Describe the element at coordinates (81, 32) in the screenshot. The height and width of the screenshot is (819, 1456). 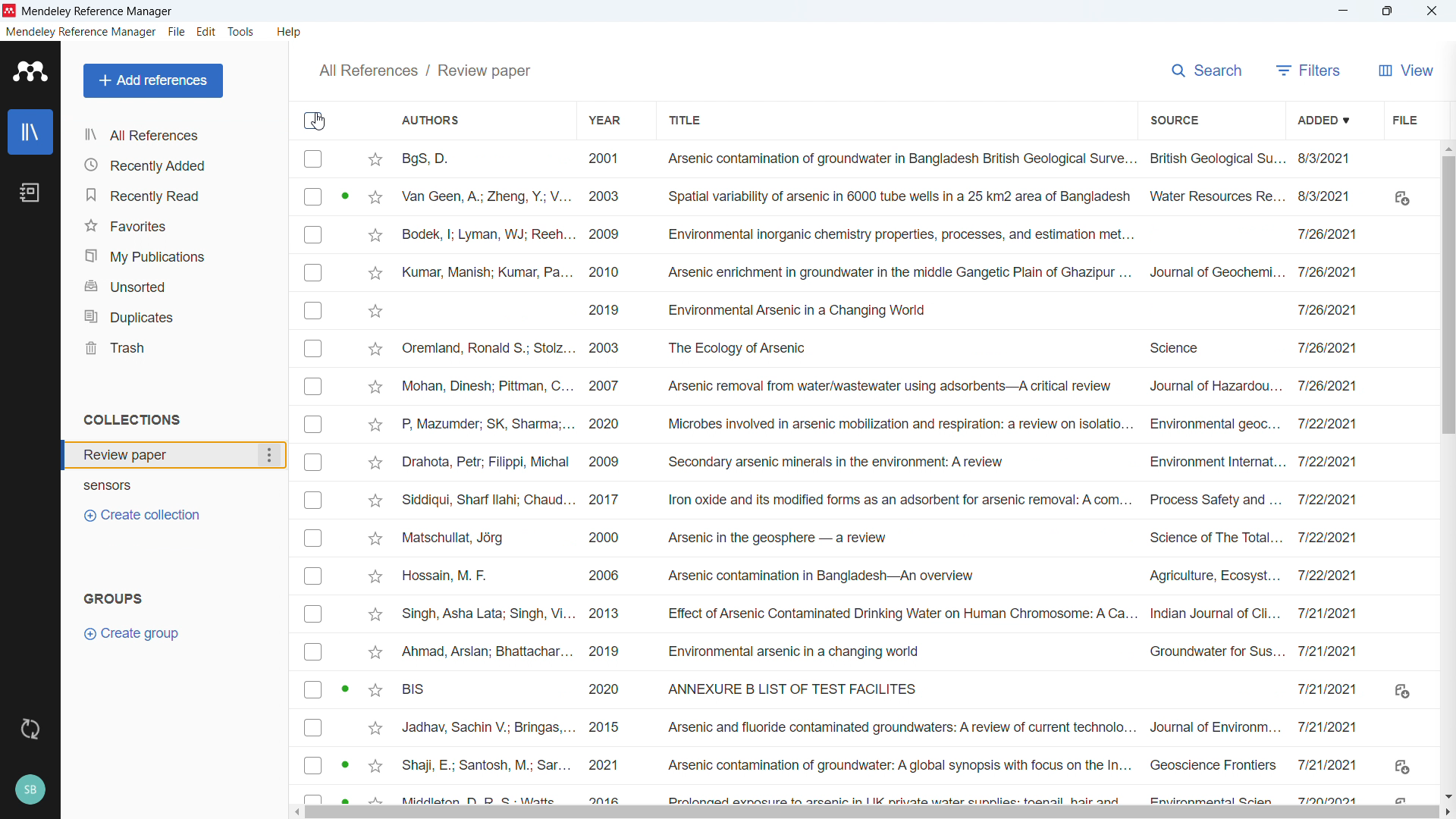
I see `Mendeley reference manager ` at that location.